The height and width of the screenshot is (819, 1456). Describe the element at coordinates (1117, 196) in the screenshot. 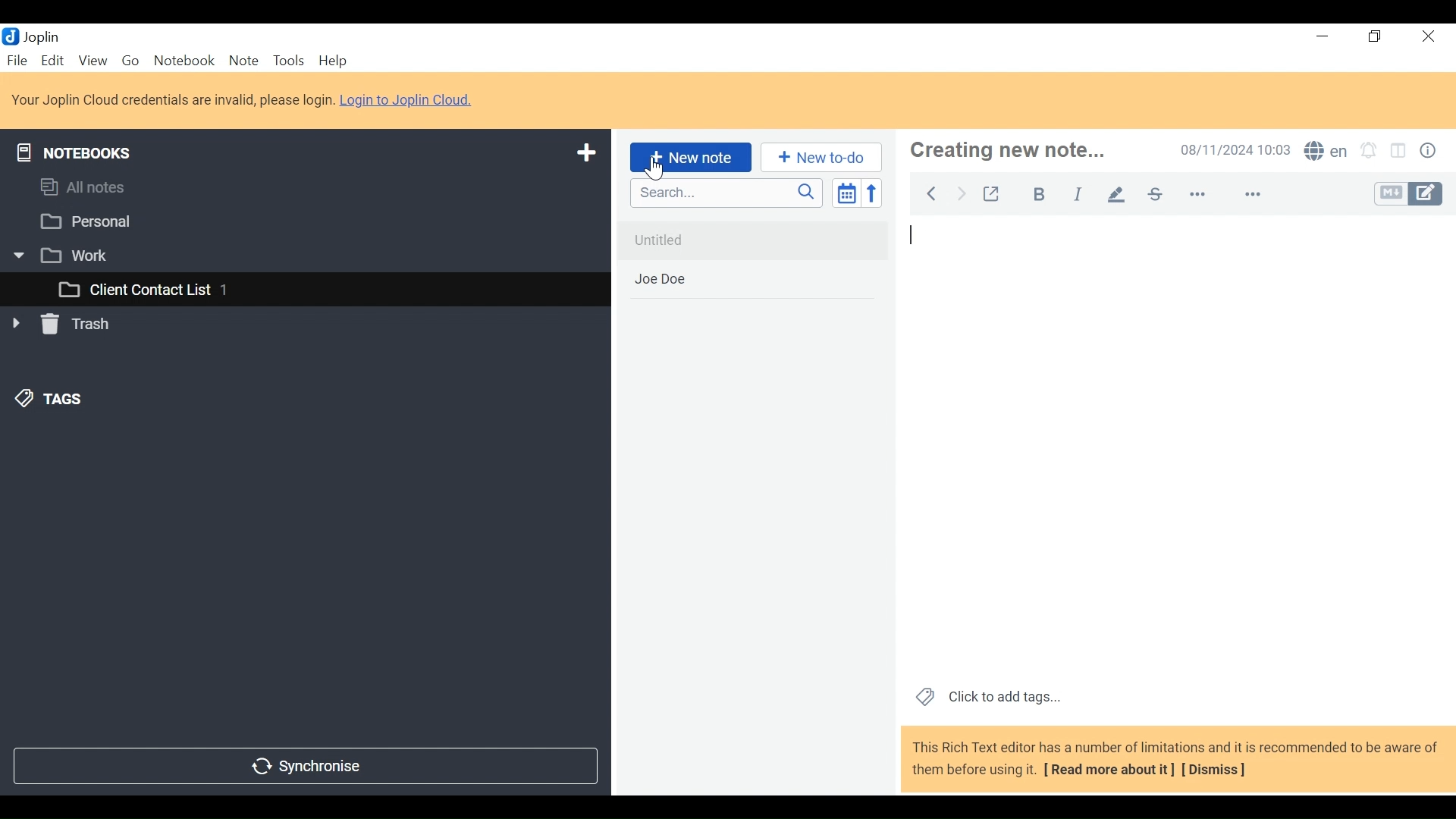

I see `Highlight` at that location.